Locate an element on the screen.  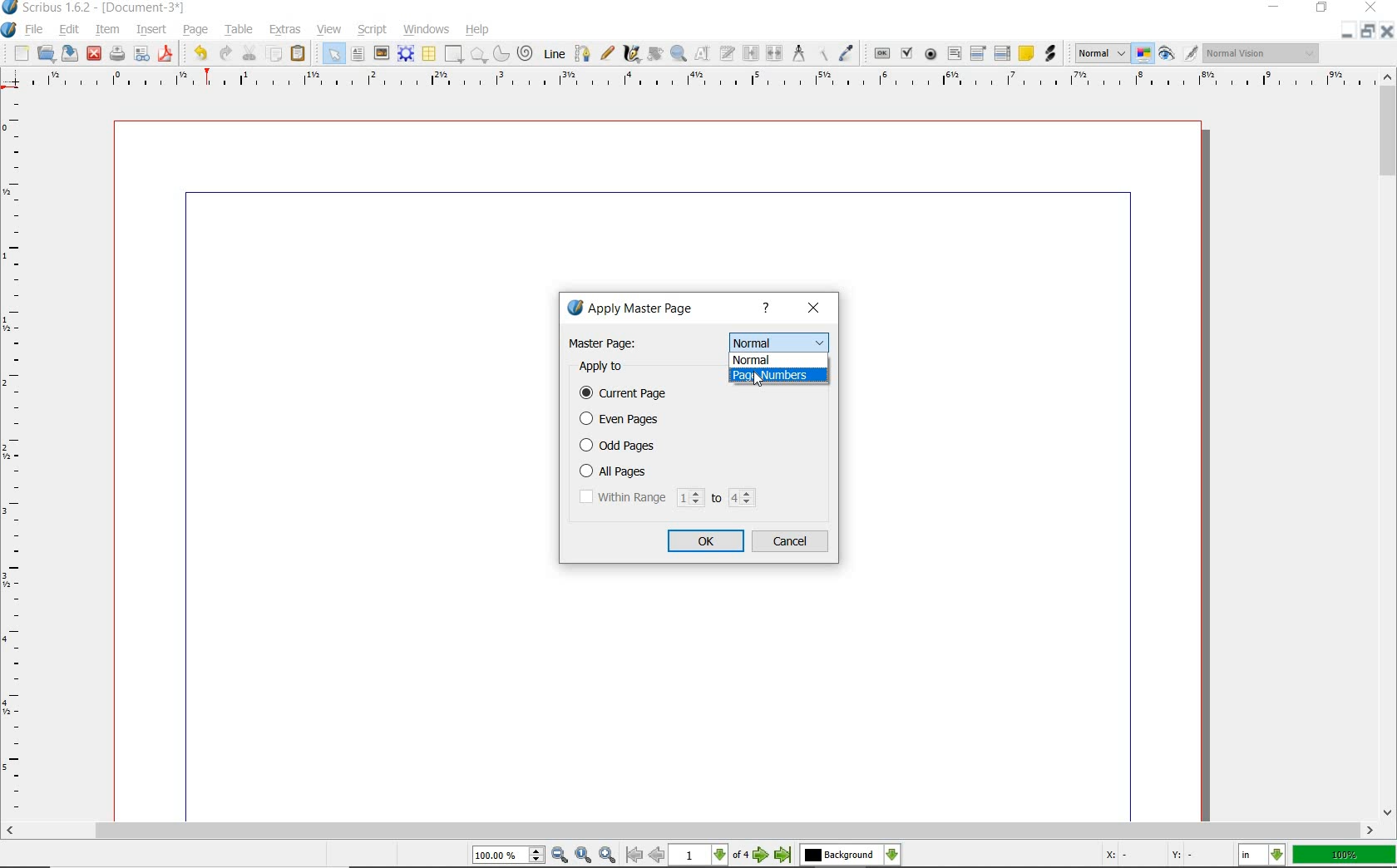
system logo is located at coordinates (9, 31).